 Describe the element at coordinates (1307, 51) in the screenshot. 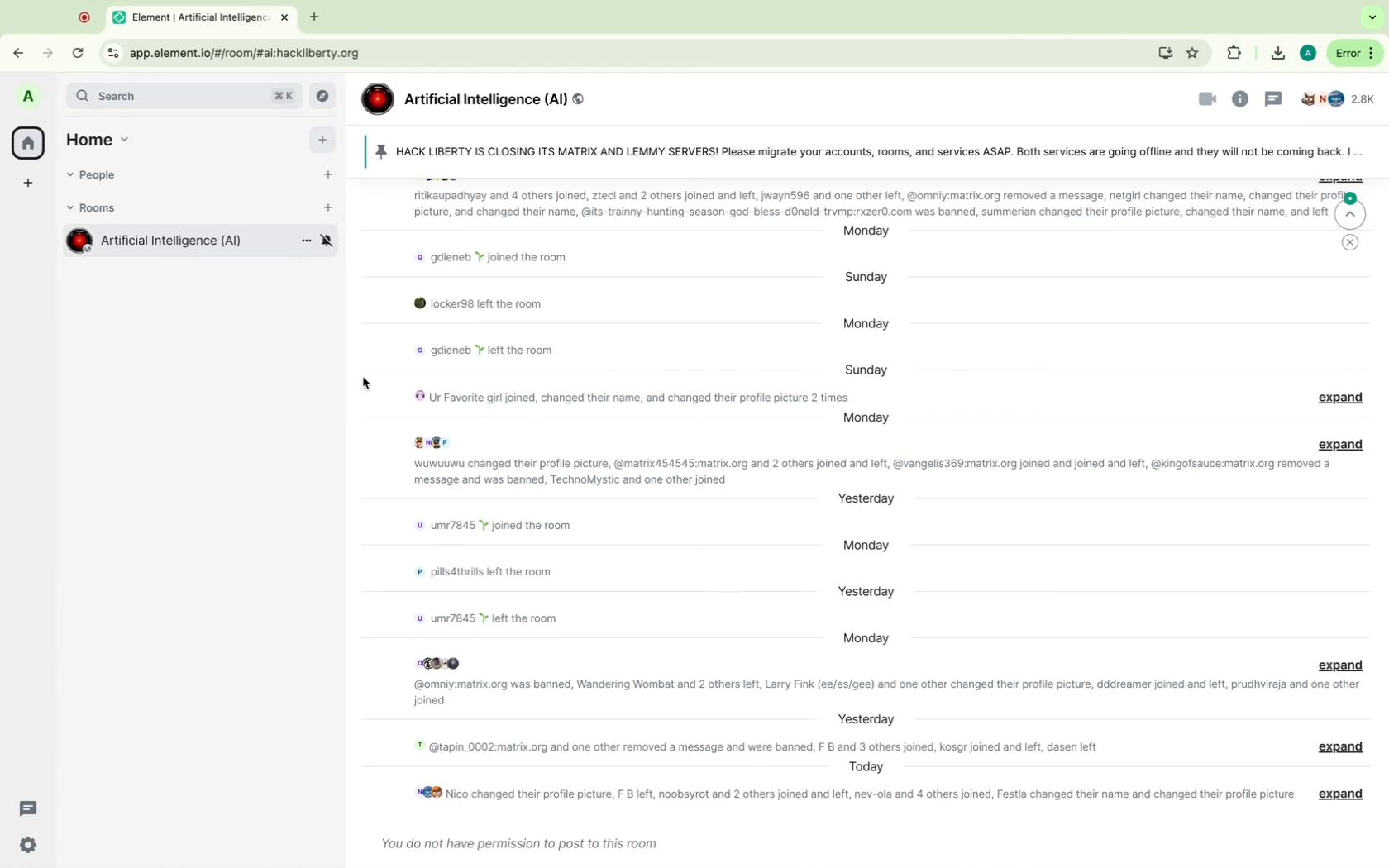

I see `google profile` at that location.